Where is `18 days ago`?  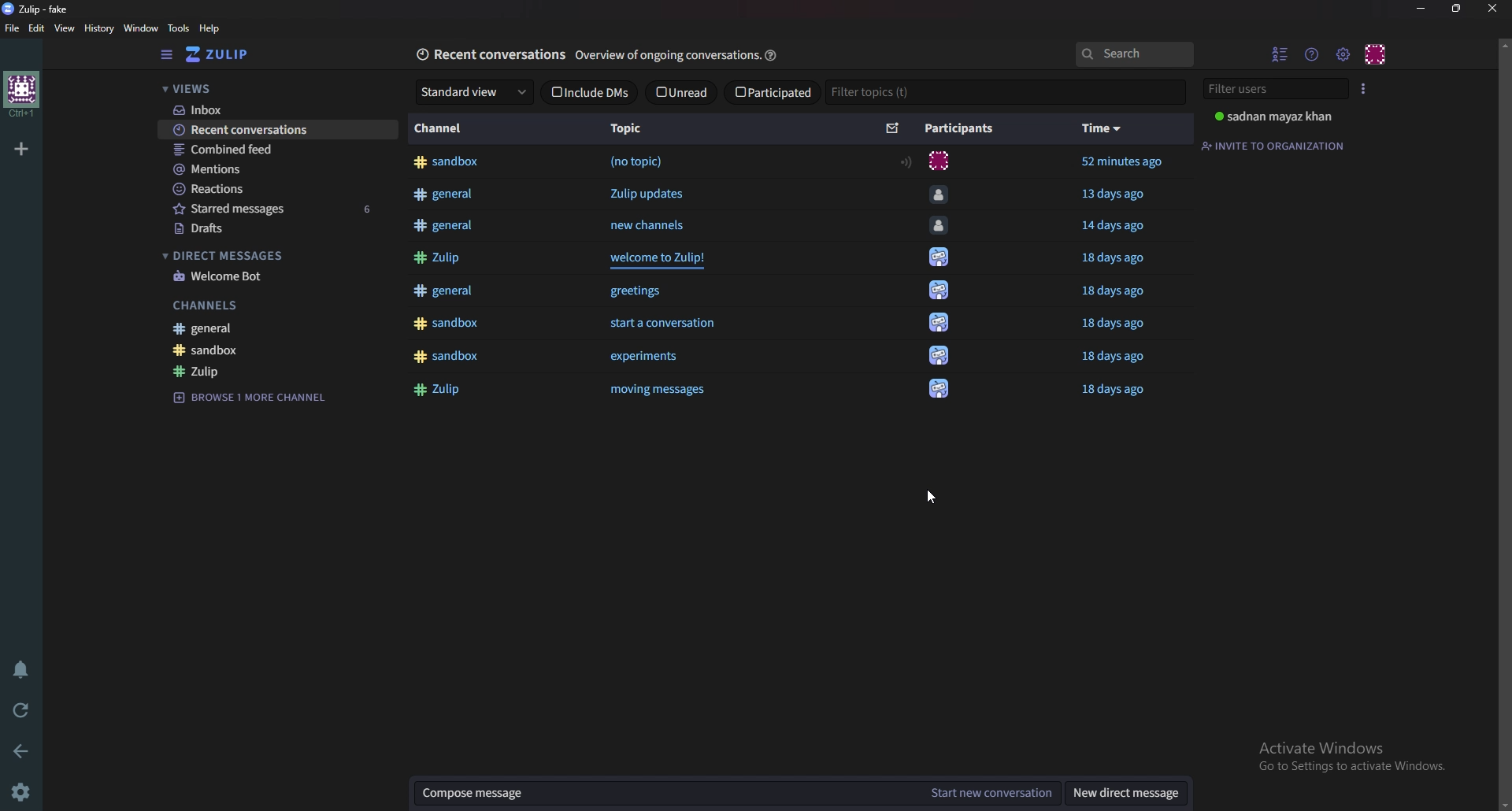 18 days ago is located at coordinates (1117, 395).